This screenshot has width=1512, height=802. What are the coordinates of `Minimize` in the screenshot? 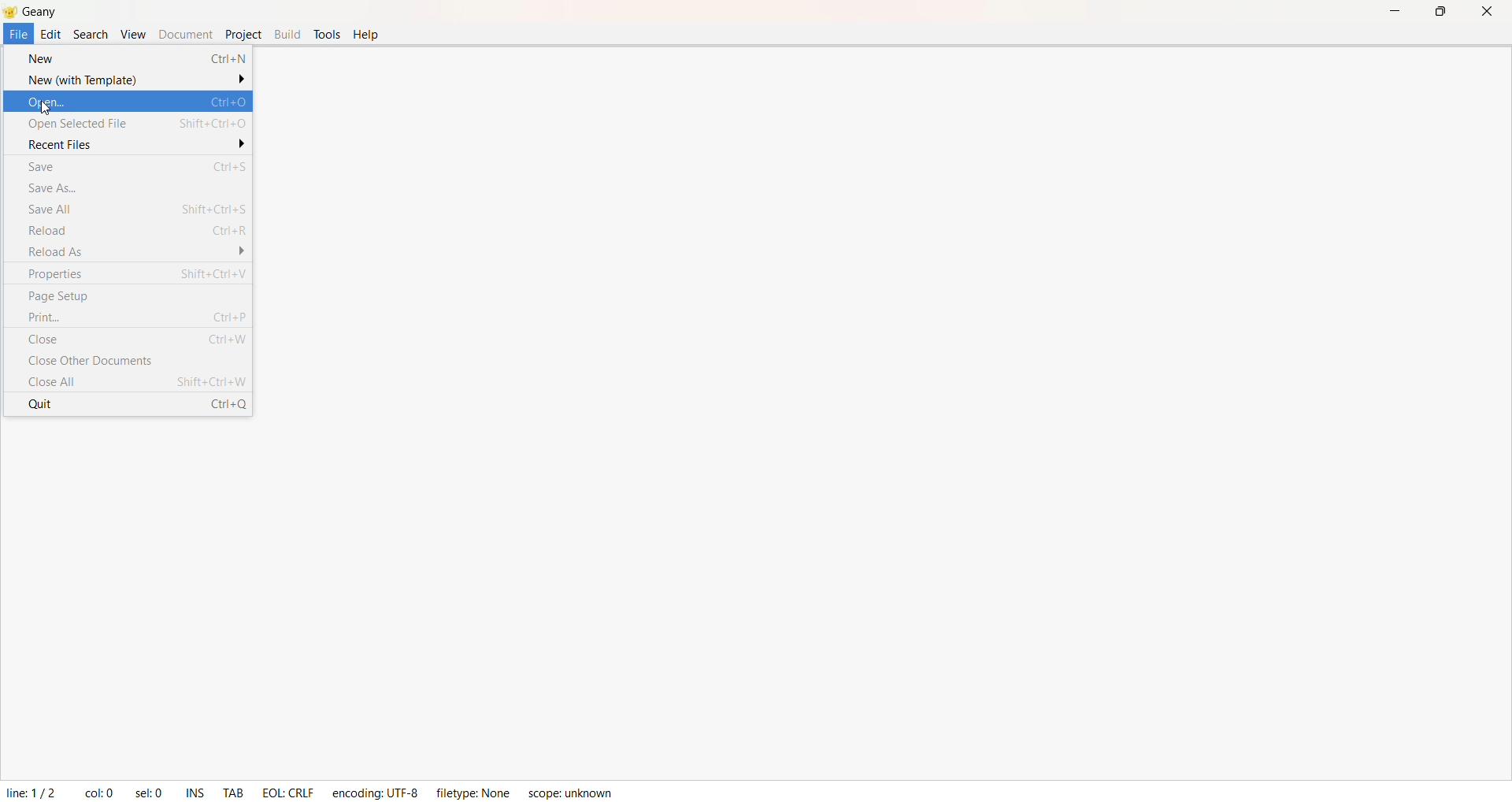 It's located at (1391, 12).